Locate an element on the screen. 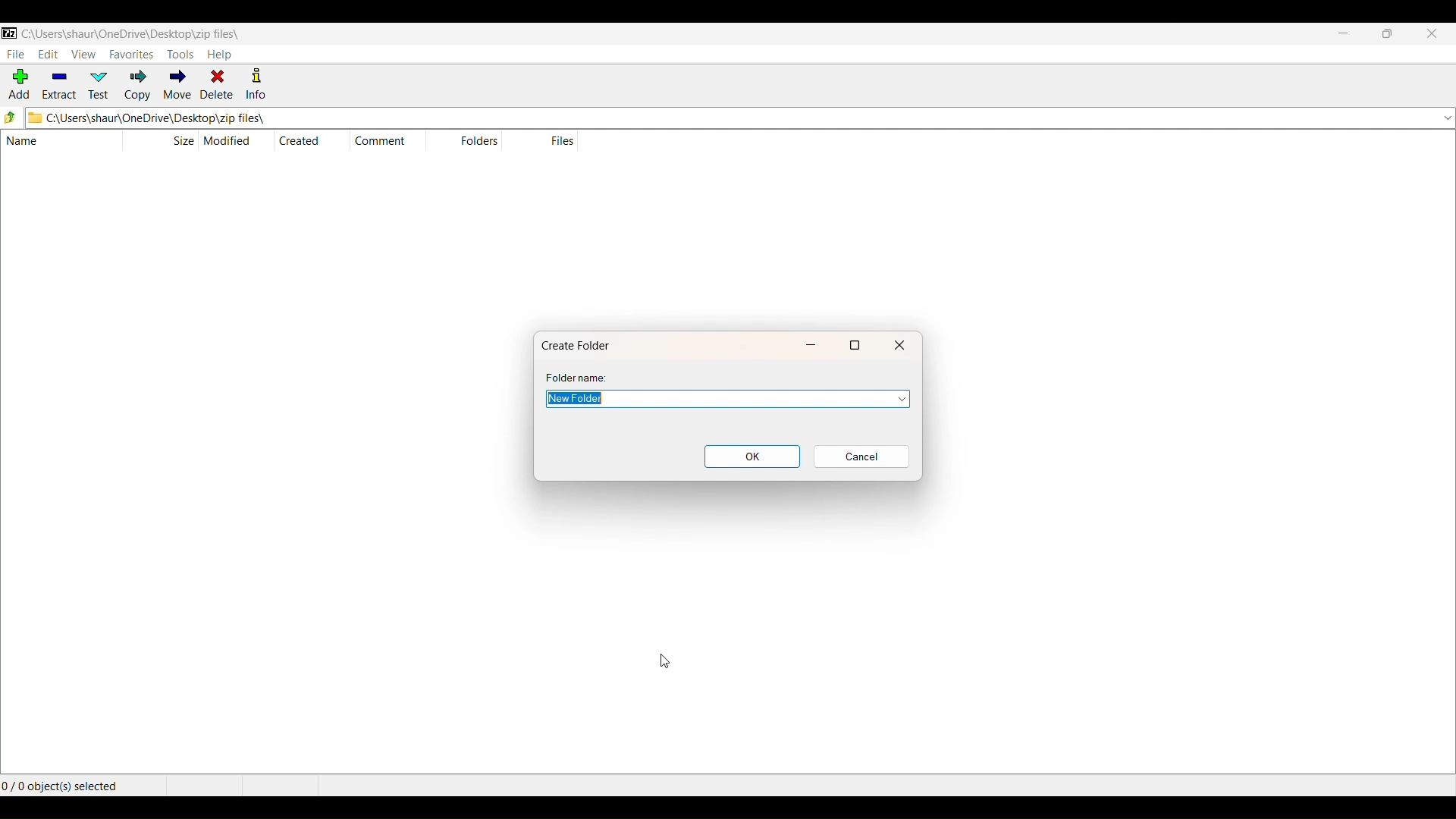  FILE is located at coordinates (14, 54).